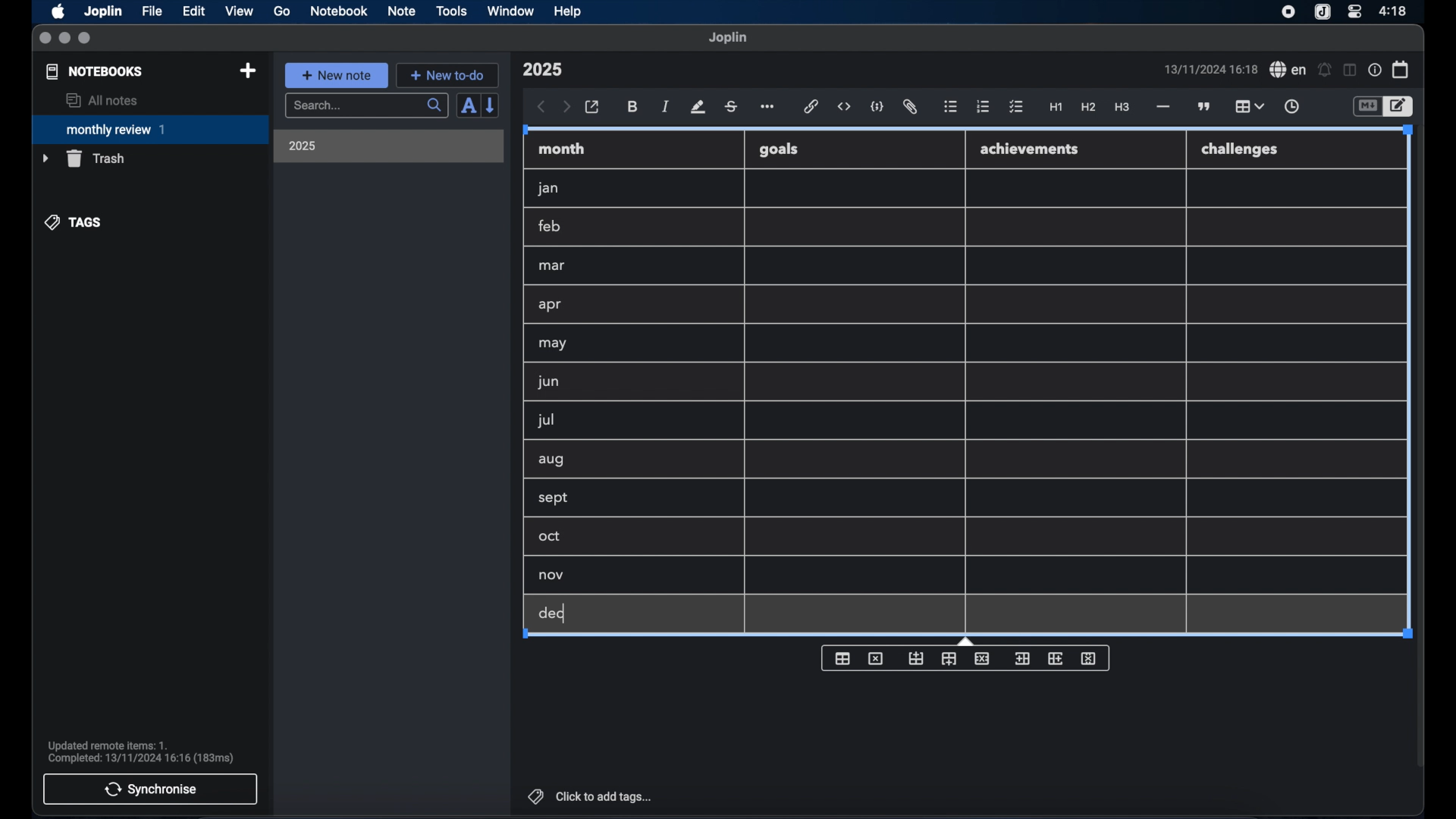 Image resolution: width=1456 pixels, height=819 pixels. I want to click on go, so click(282, 11).